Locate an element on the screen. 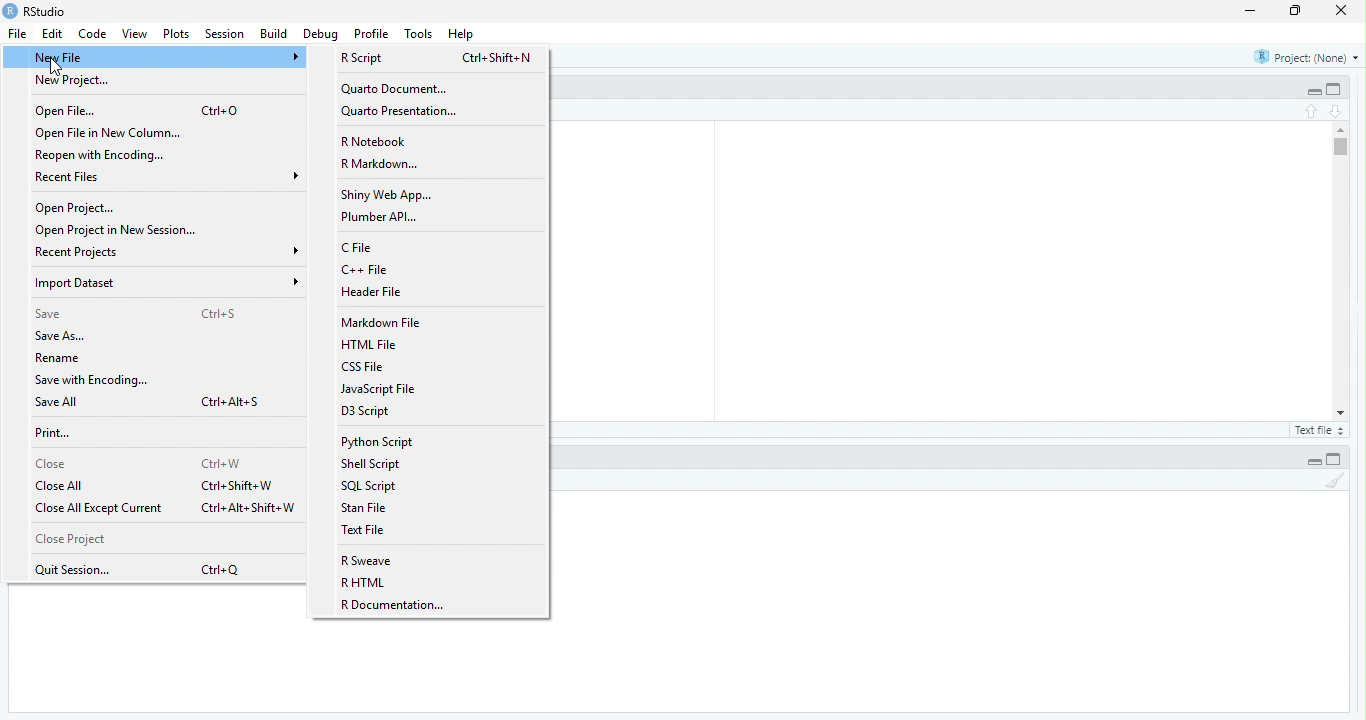 The height and width of the screenshot is (720, 1366). C++ File is located at coordinates (368, 268).